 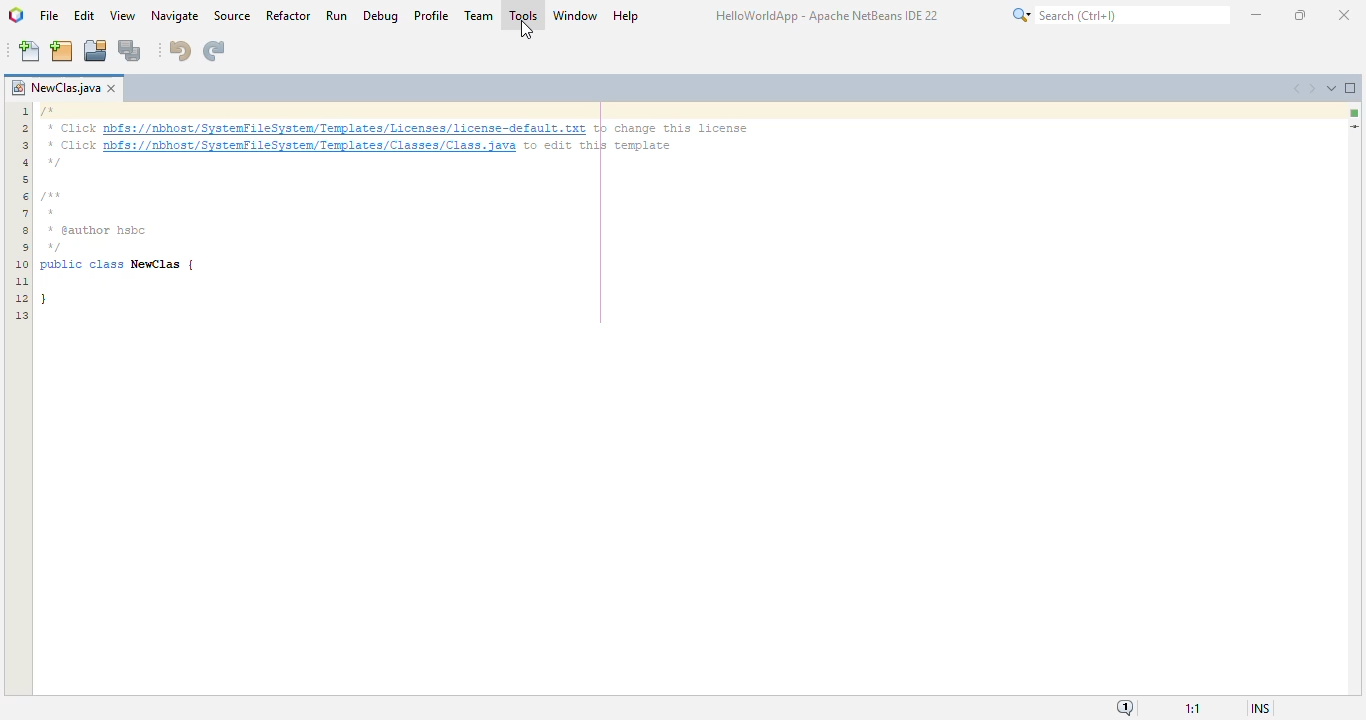 What do you see at coordinates (233, 16) in the screenshot?
I see `source` at bounding box center [233, 16].